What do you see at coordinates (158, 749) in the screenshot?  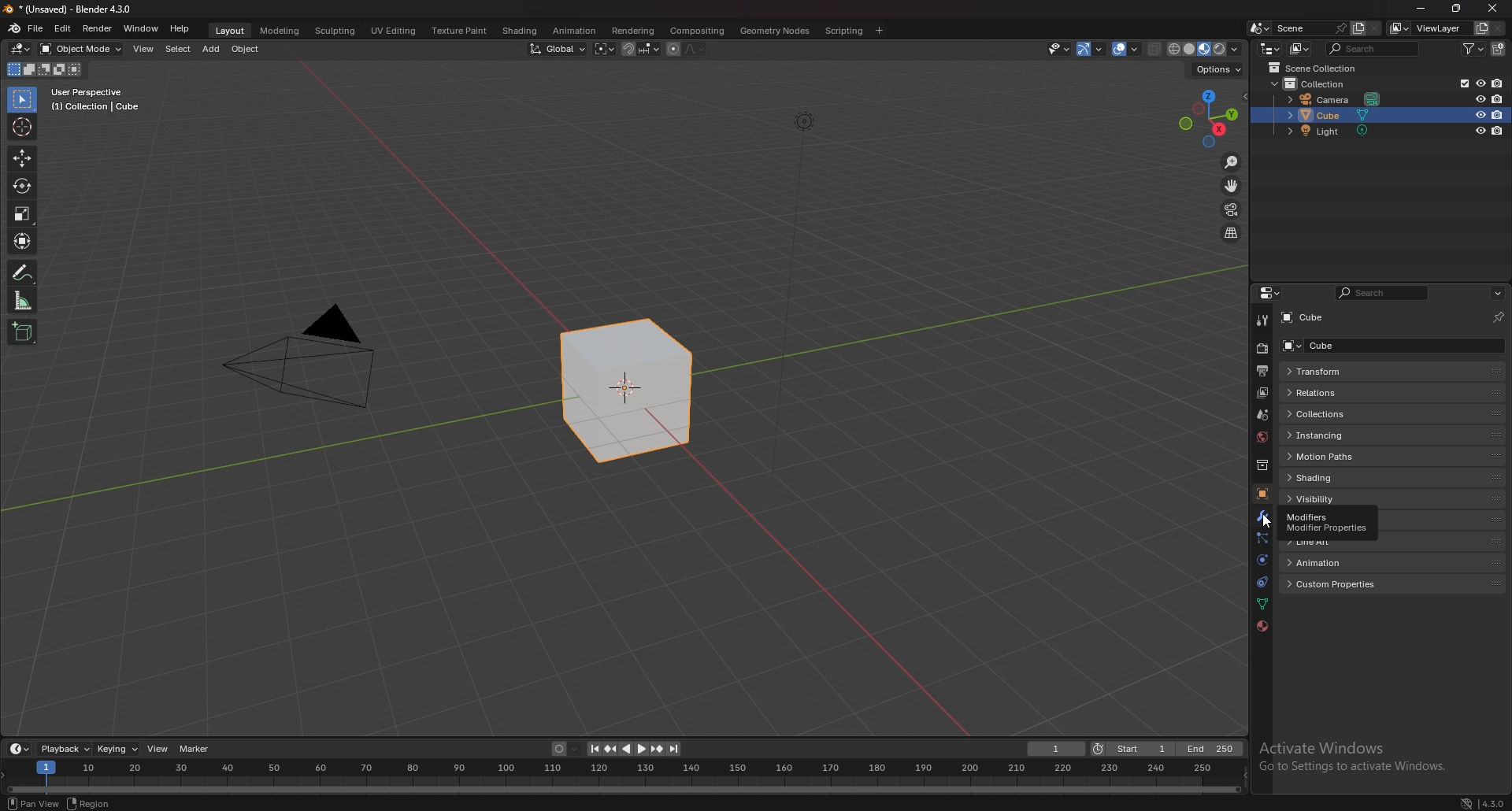 I see `view` at bounding box center [158, 749].